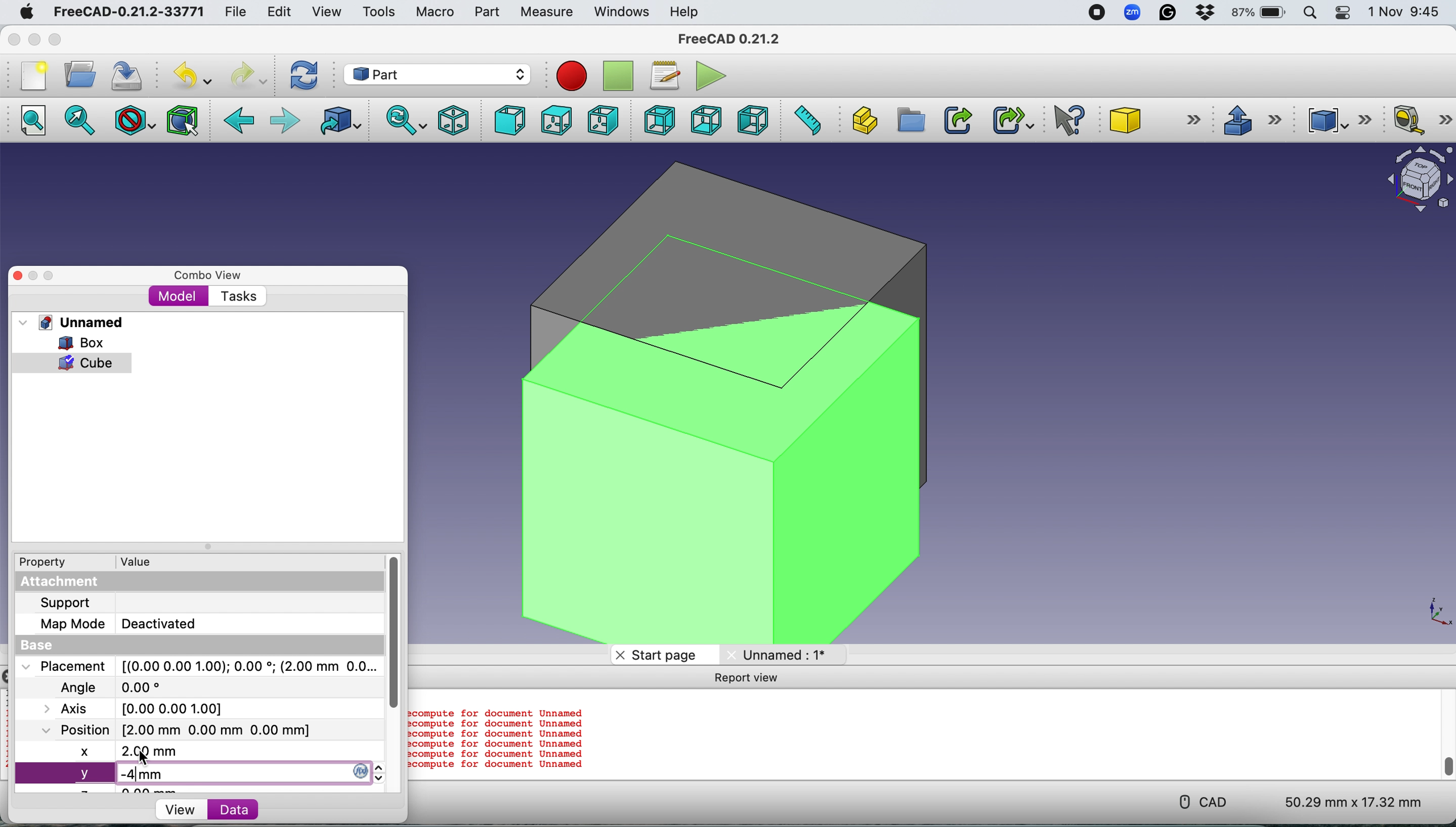  What do you see at coordinates (506, 120) in the screenshot?
I see `Front` at bounding box center [506, 120].